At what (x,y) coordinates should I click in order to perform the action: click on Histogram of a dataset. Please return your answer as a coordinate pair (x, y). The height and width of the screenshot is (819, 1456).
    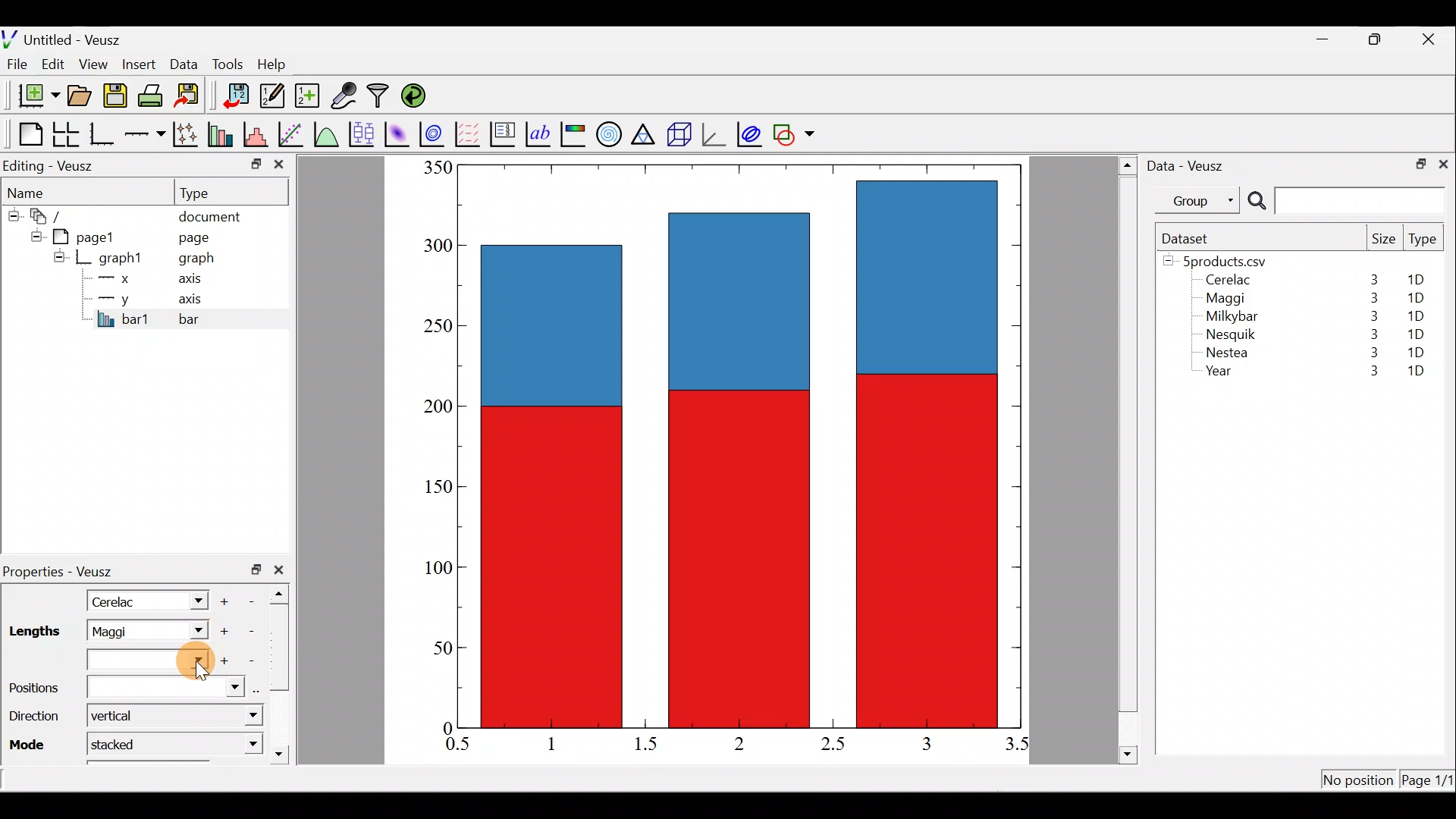
    Looking at the image, I should click on (260, 135).